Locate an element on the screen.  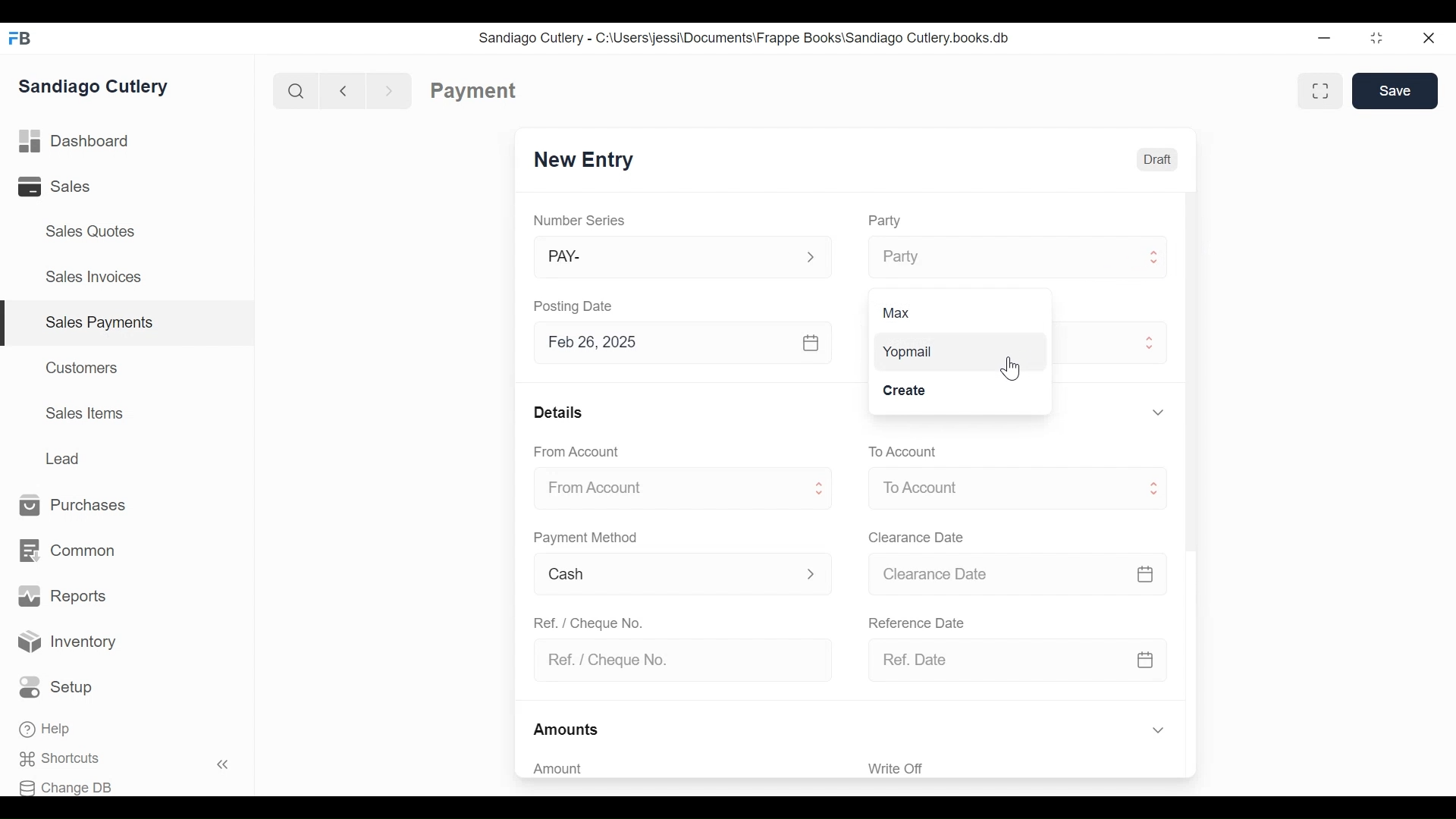
Search is located at coordinates (293, 90).